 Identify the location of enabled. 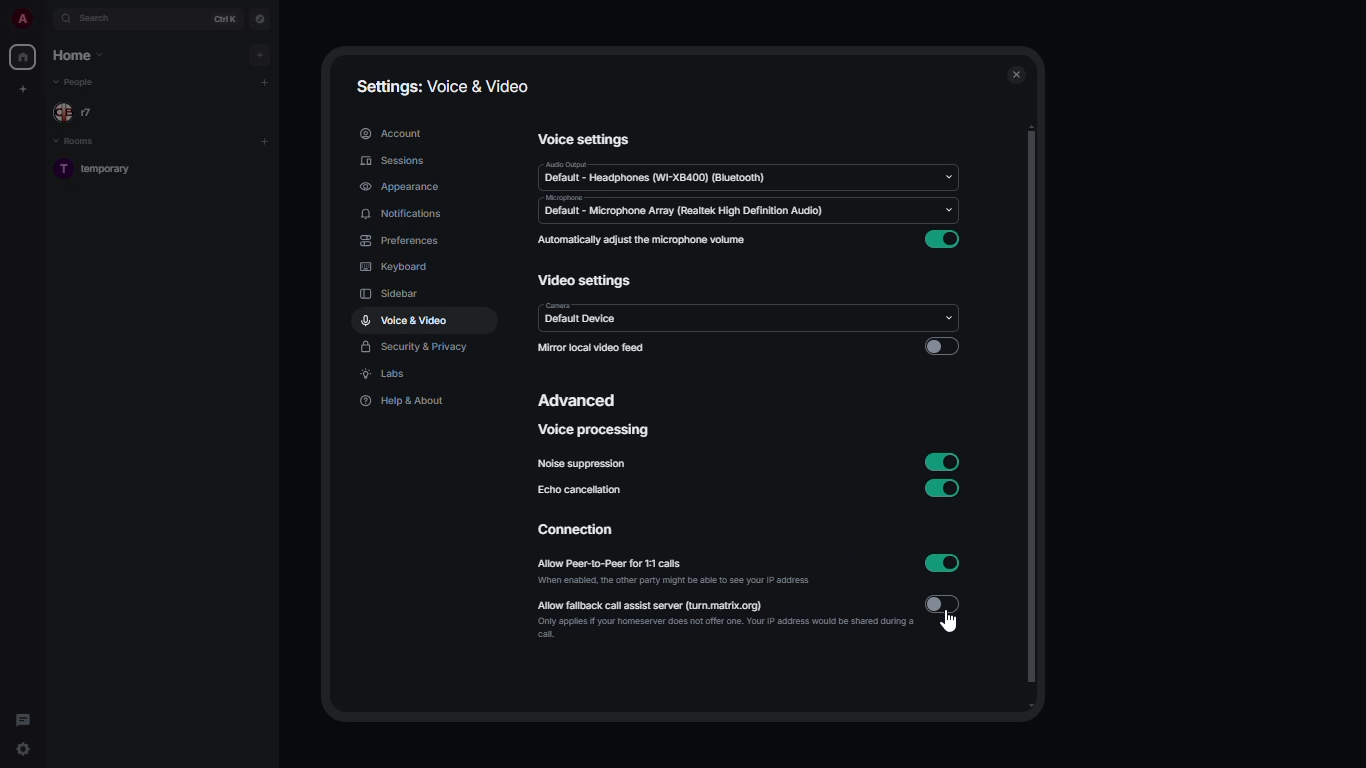
(944, 461).